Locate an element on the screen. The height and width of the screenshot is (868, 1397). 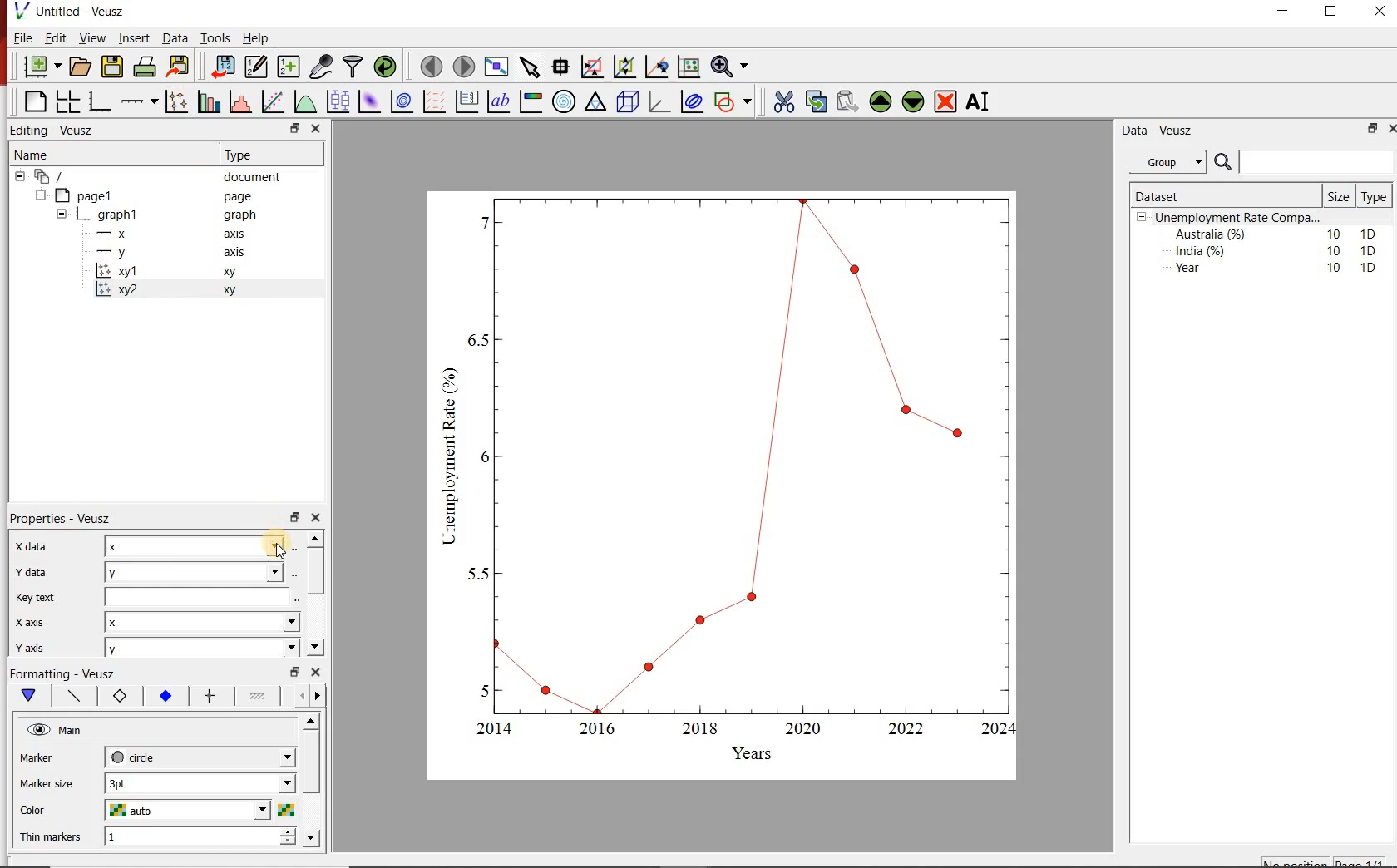
click to zoom out graph axes is located at coordinates (625, 65).